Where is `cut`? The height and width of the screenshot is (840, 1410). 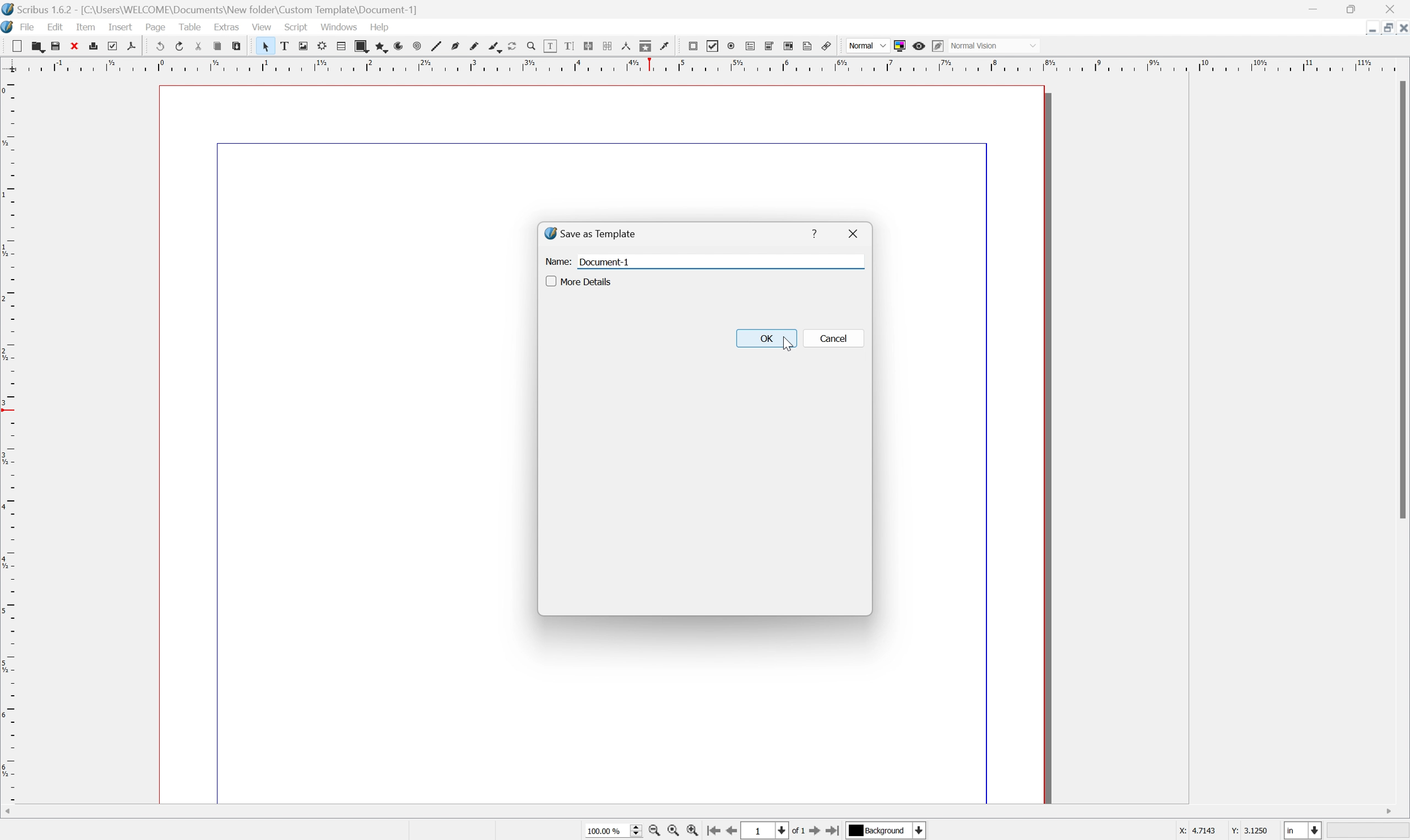
cut is located at coordinates (12, 43).